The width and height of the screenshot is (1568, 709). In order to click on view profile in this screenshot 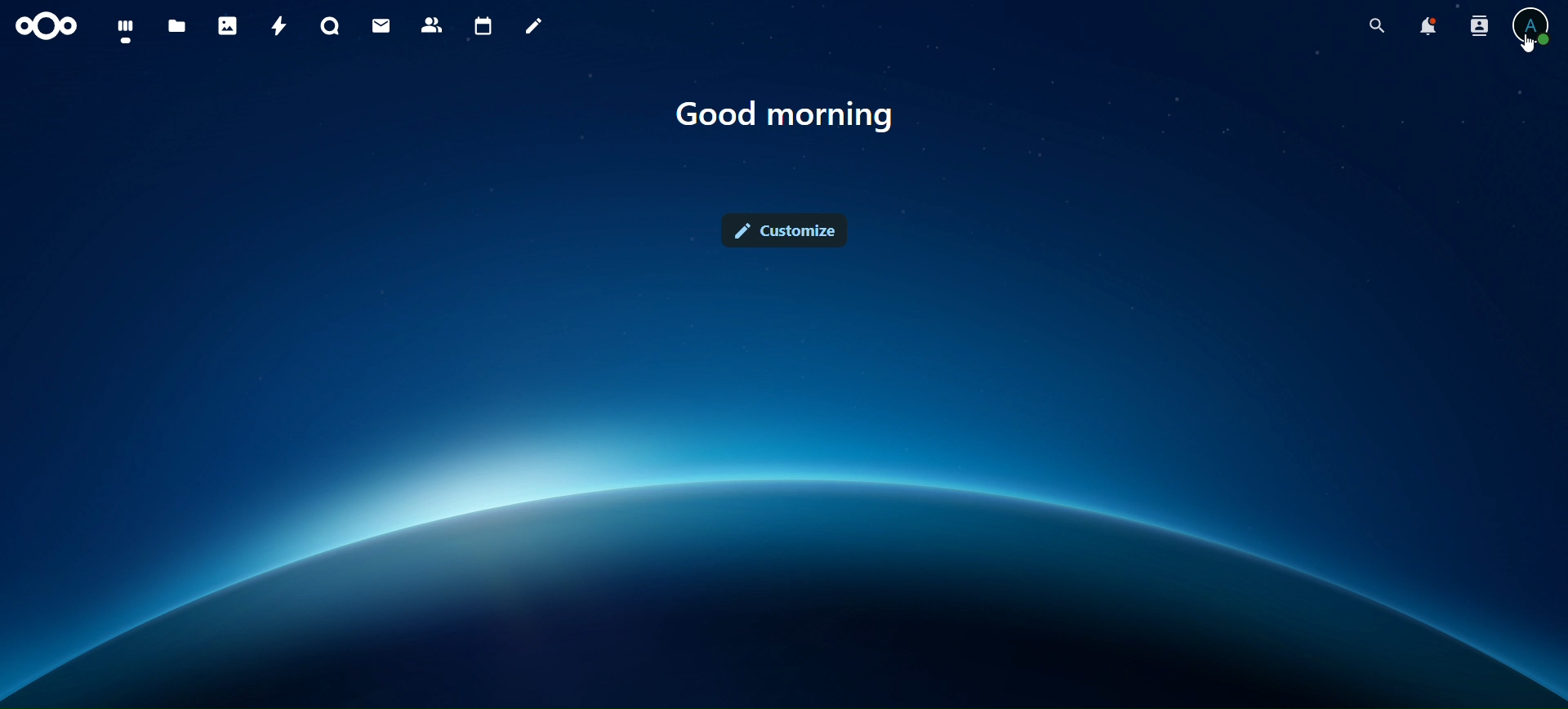, I will do `click(1535, 25)`.